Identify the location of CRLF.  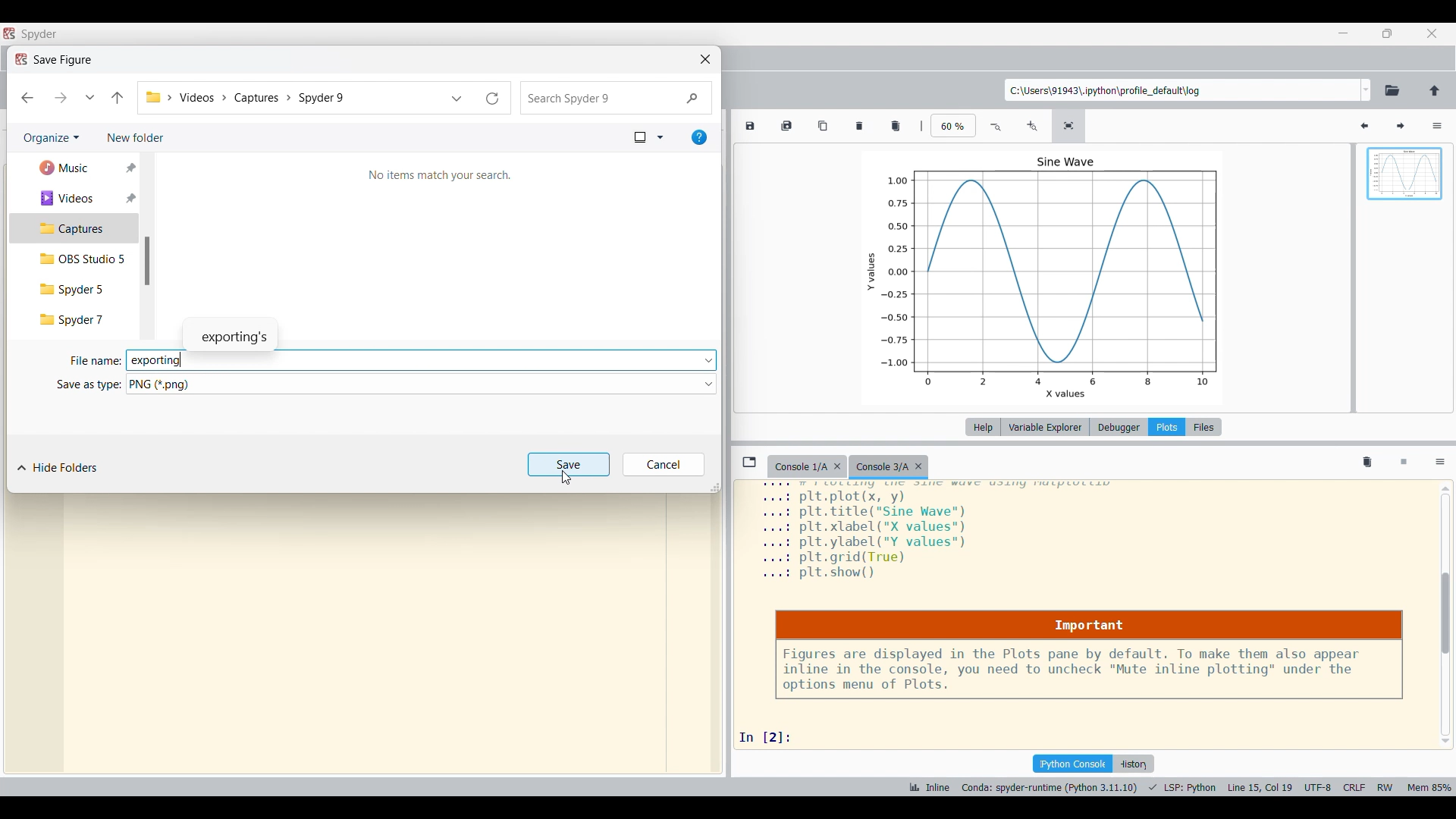
(1353, 786).